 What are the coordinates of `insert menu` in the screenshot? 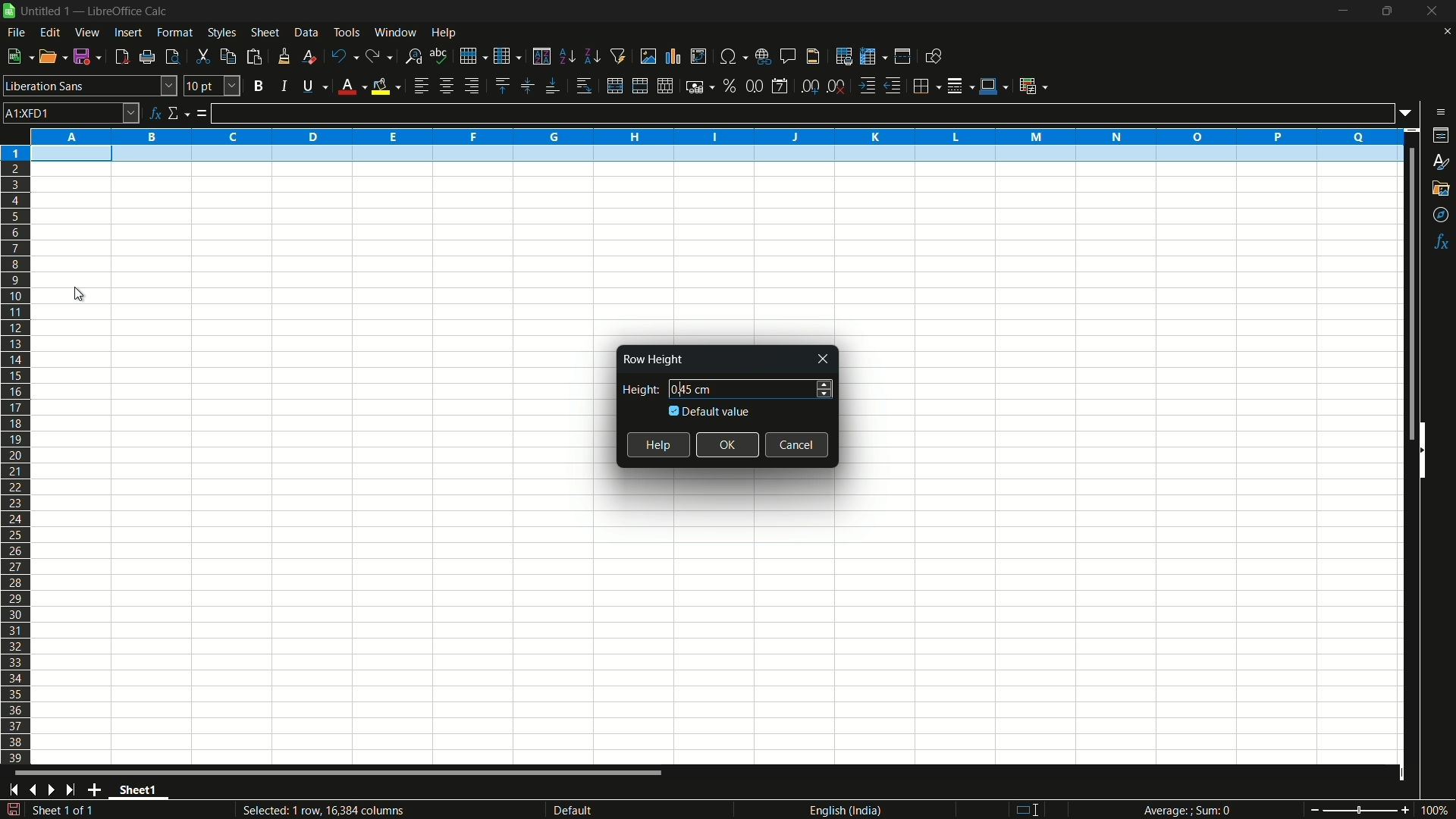 It's located at (127, 33).